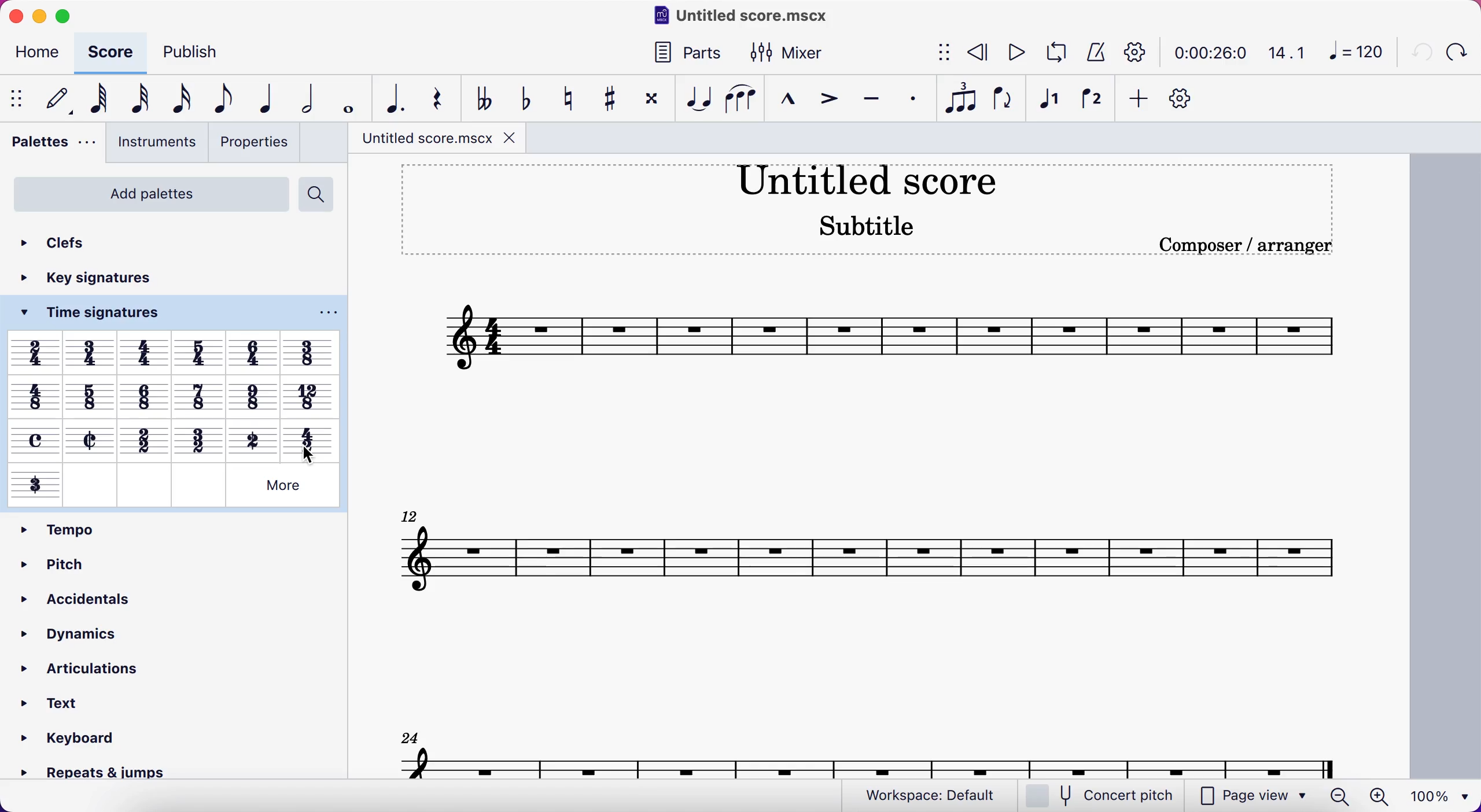  Describe the element at coordinates (1353, 52) in the screenshot. I see `120` at that location.